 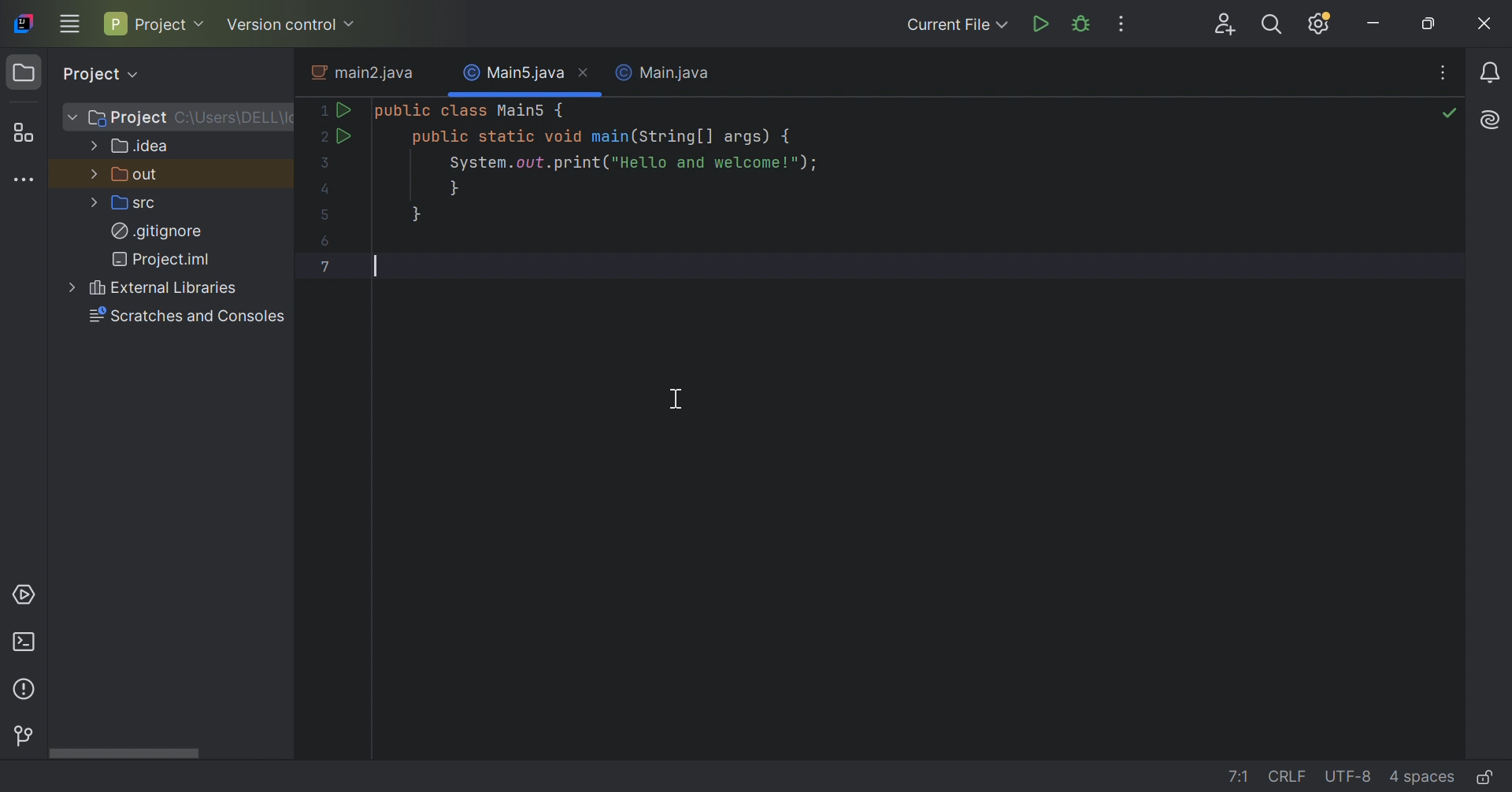 What do you see at coordinates (106, 73) in the screenshot?
I see `Project` at bounding box center [106, 73].